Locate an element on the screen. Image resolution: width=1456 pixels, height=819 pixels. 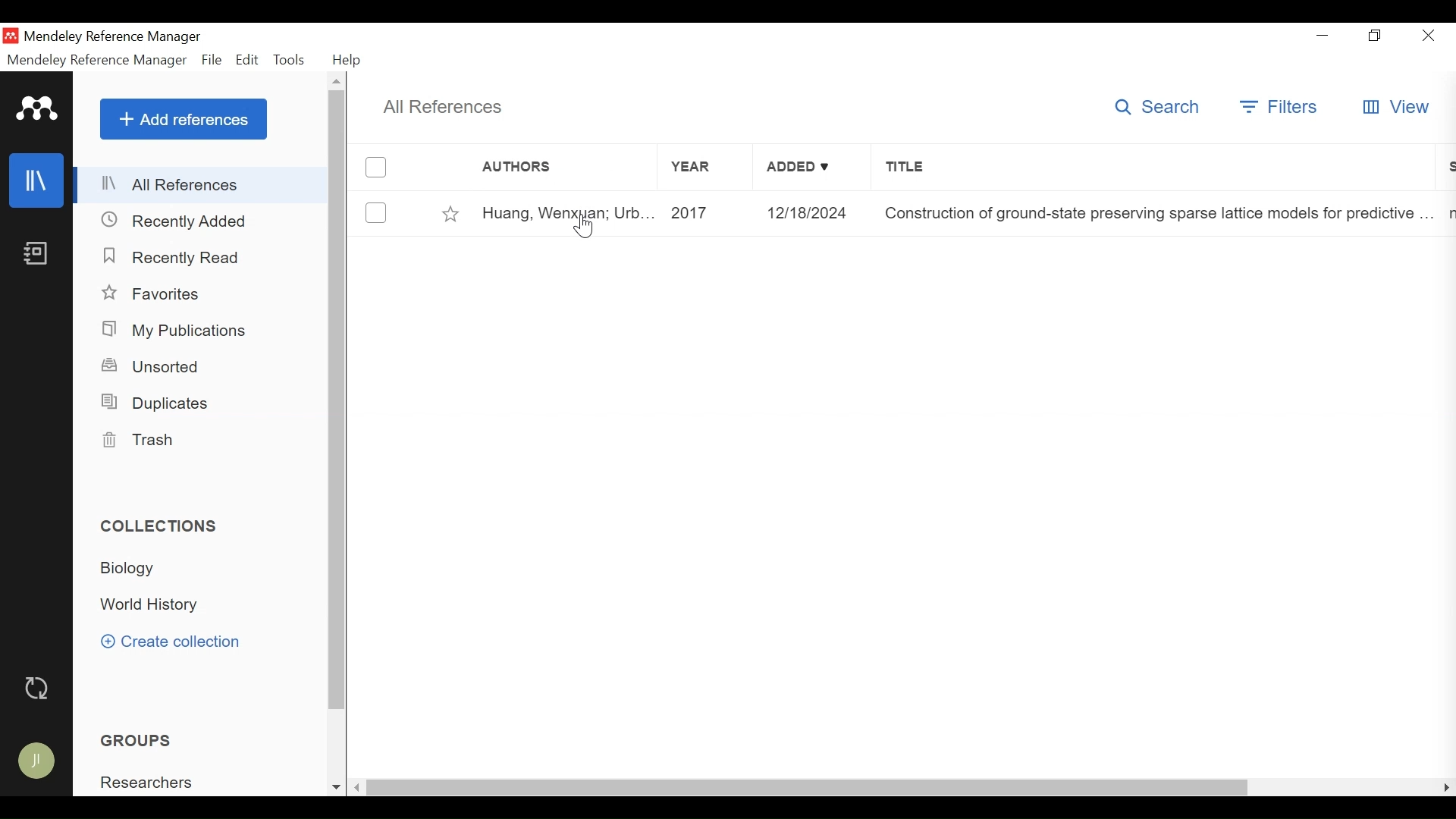
Collection is located at coordinates (144, 570).